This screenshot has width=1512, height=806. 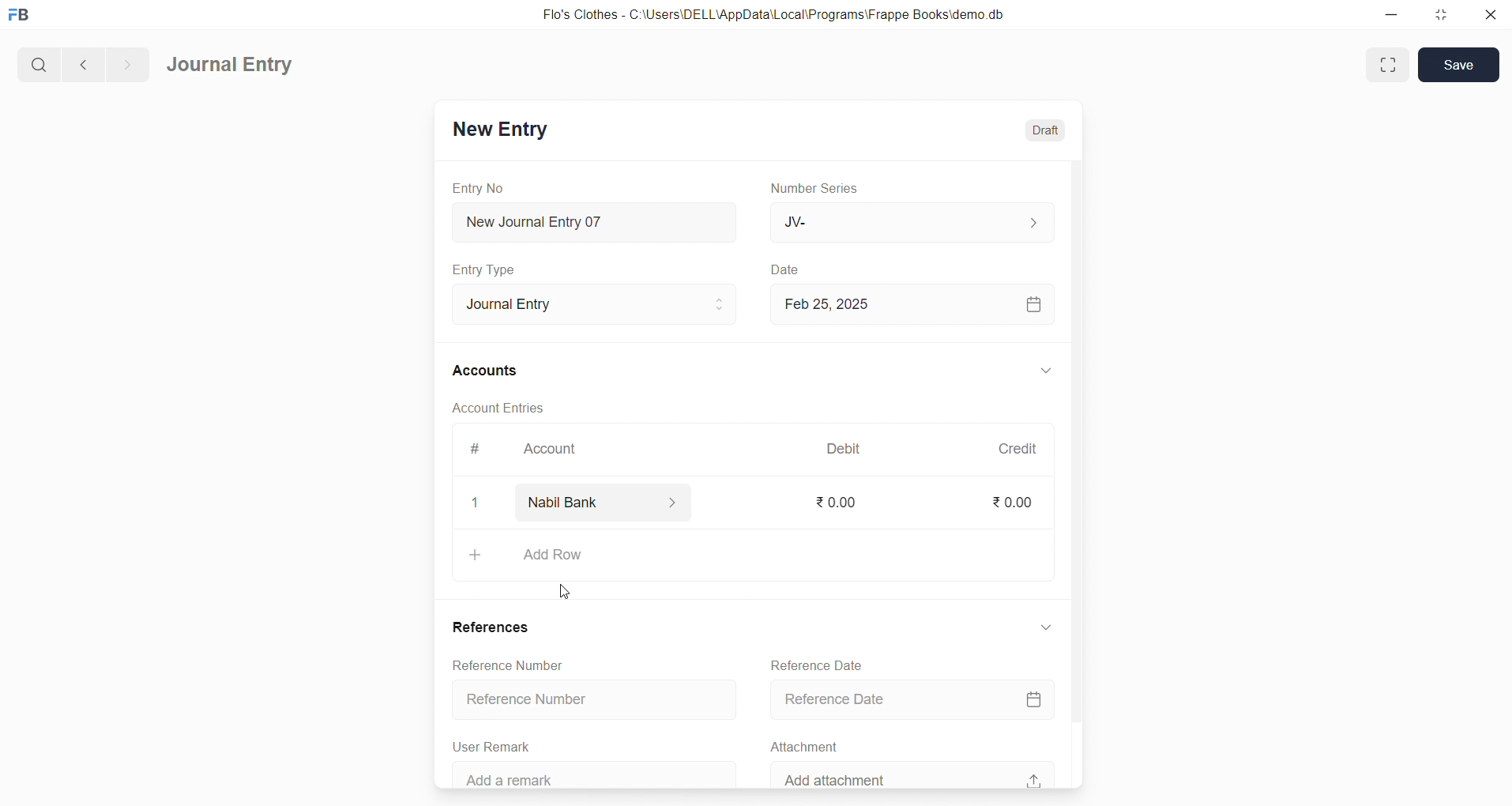 What do you see at coordinates (785, 269) in the screenshot?
I see `Date` at bounding box center [785, 269].